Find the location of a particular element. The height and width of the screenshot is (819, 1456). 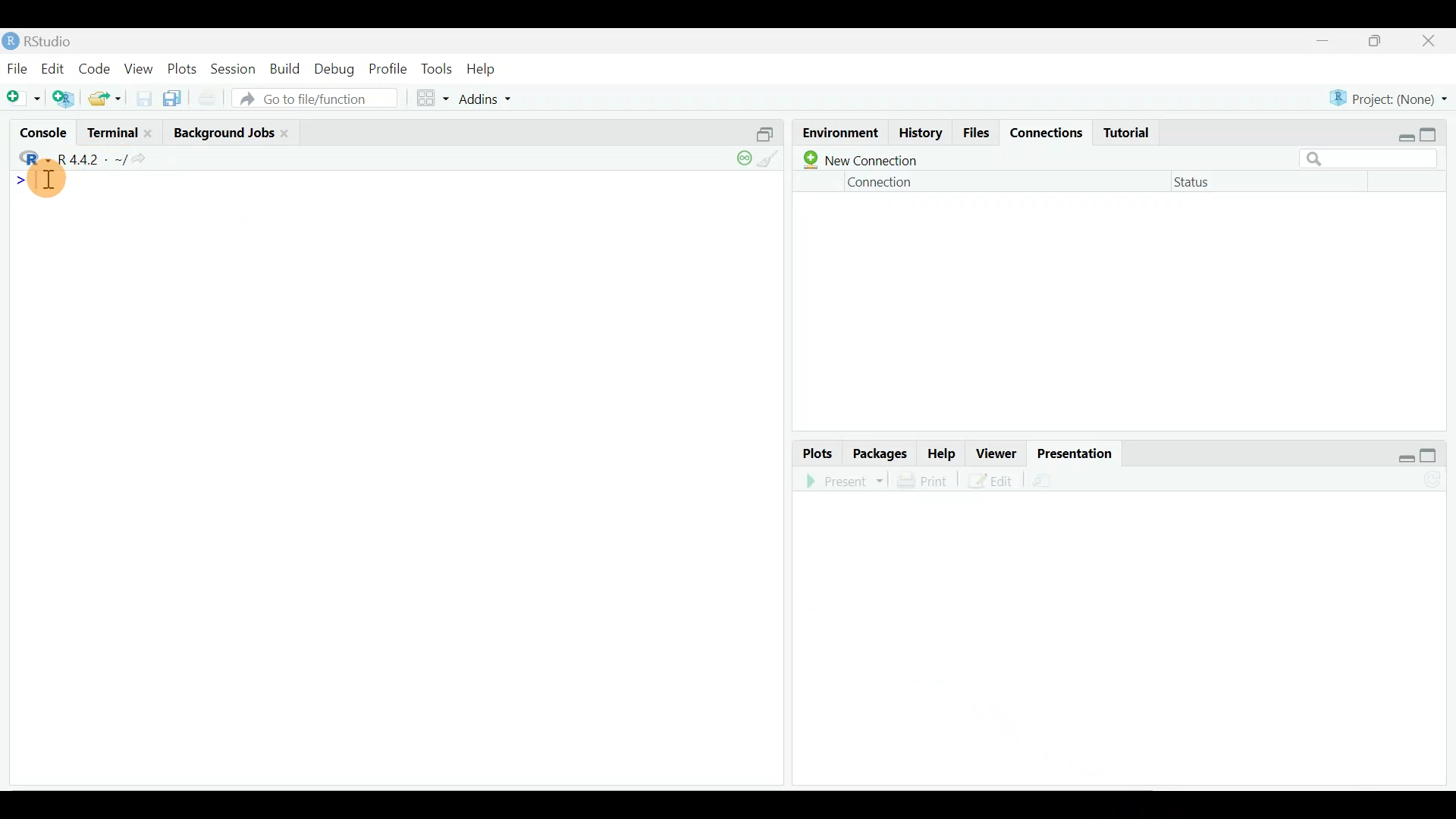

Print current file is located at coordinates (206, 99).